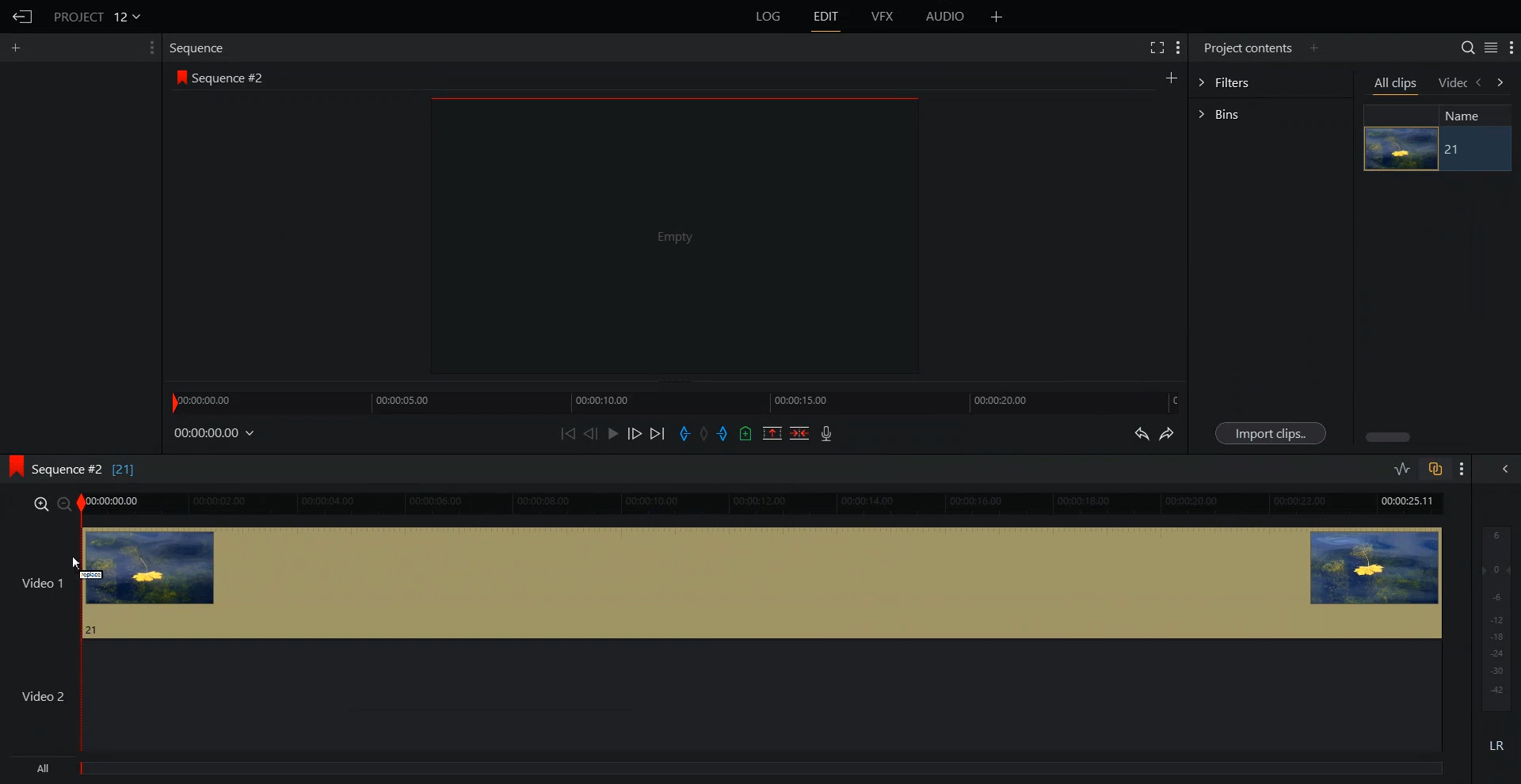  Describe the element at coordinates (1454, 150) in the screenshot. I see `21` at that location.